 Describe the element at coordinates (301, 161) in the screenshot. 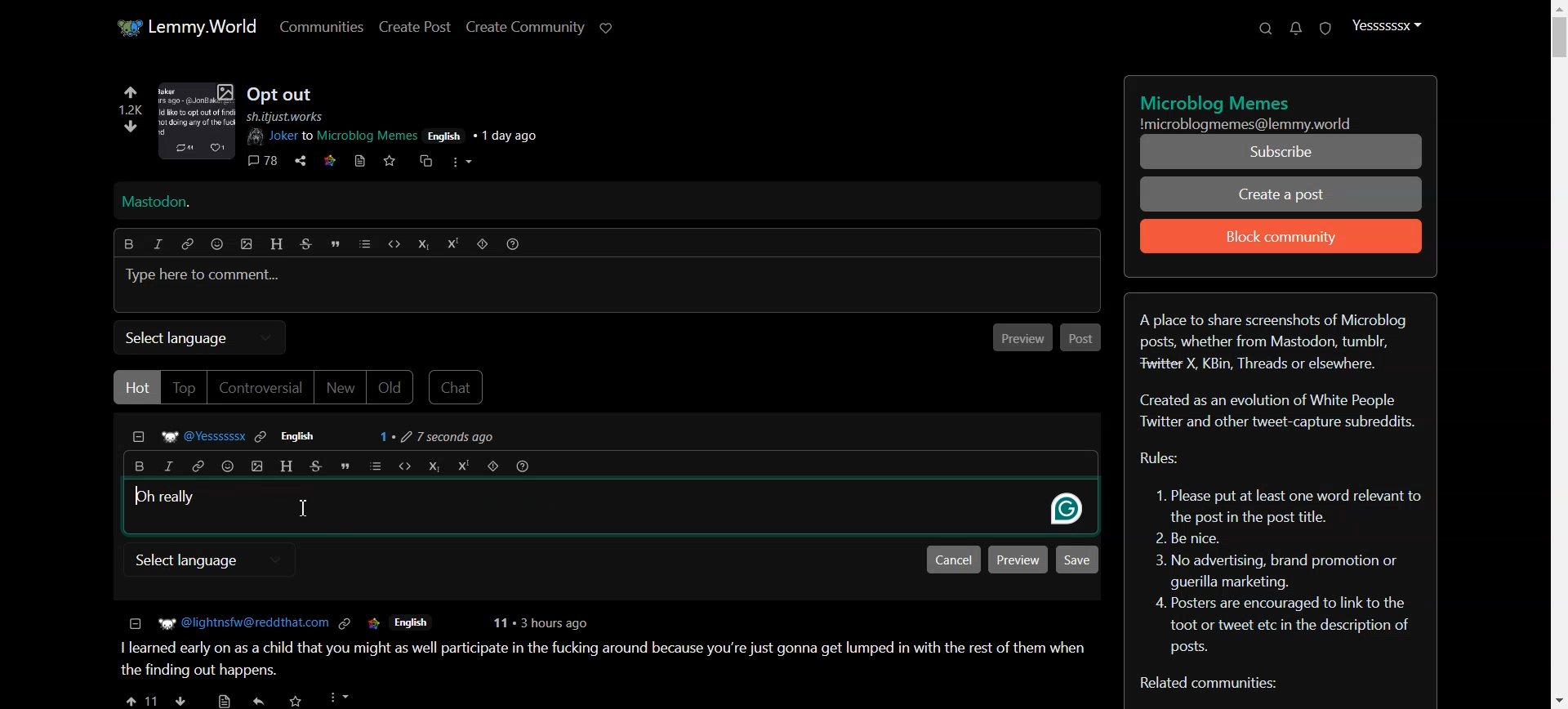

I see `share` at that location.